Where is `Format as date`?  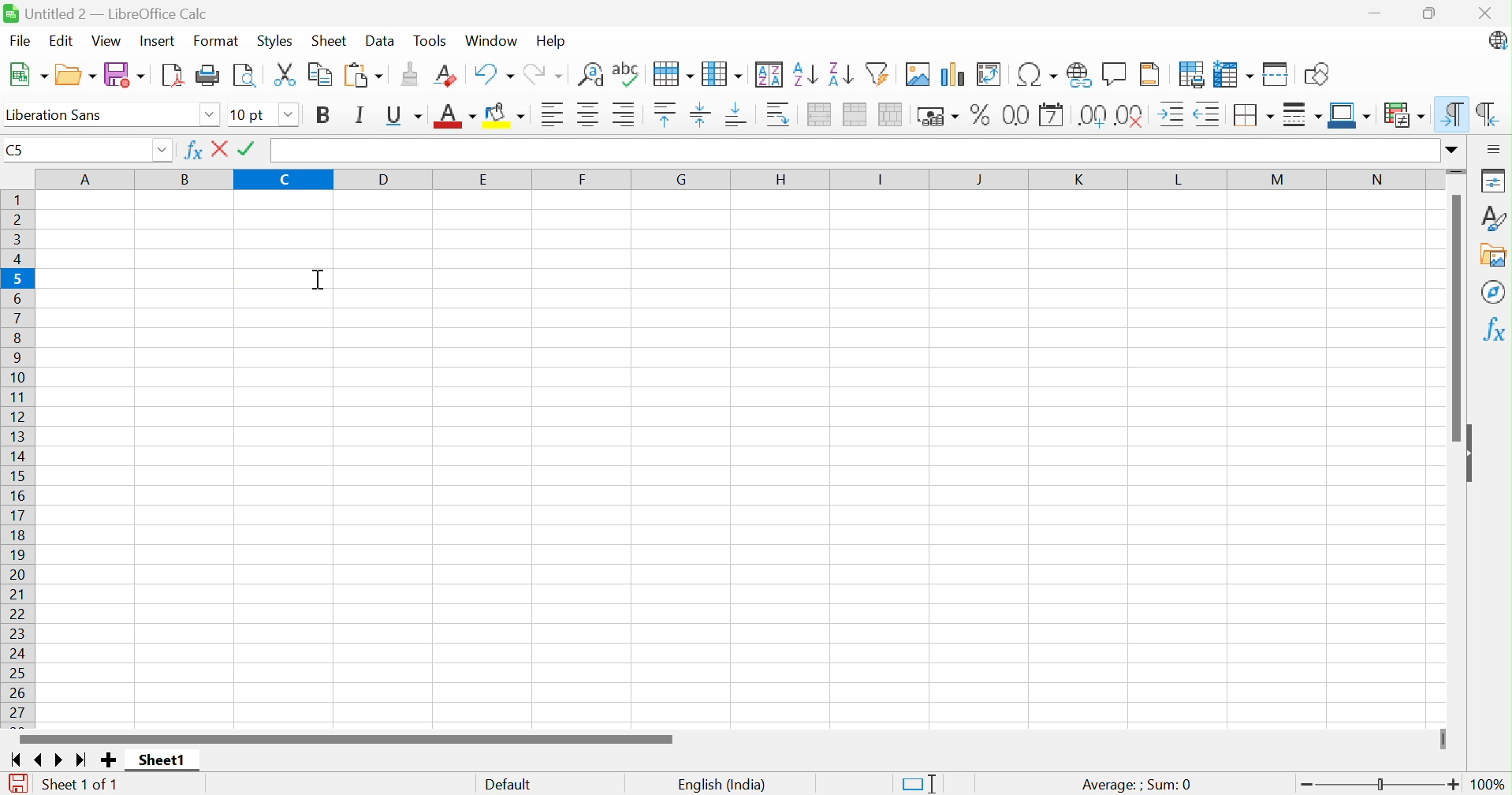
Format as date is located at coordinates (1051, 116).